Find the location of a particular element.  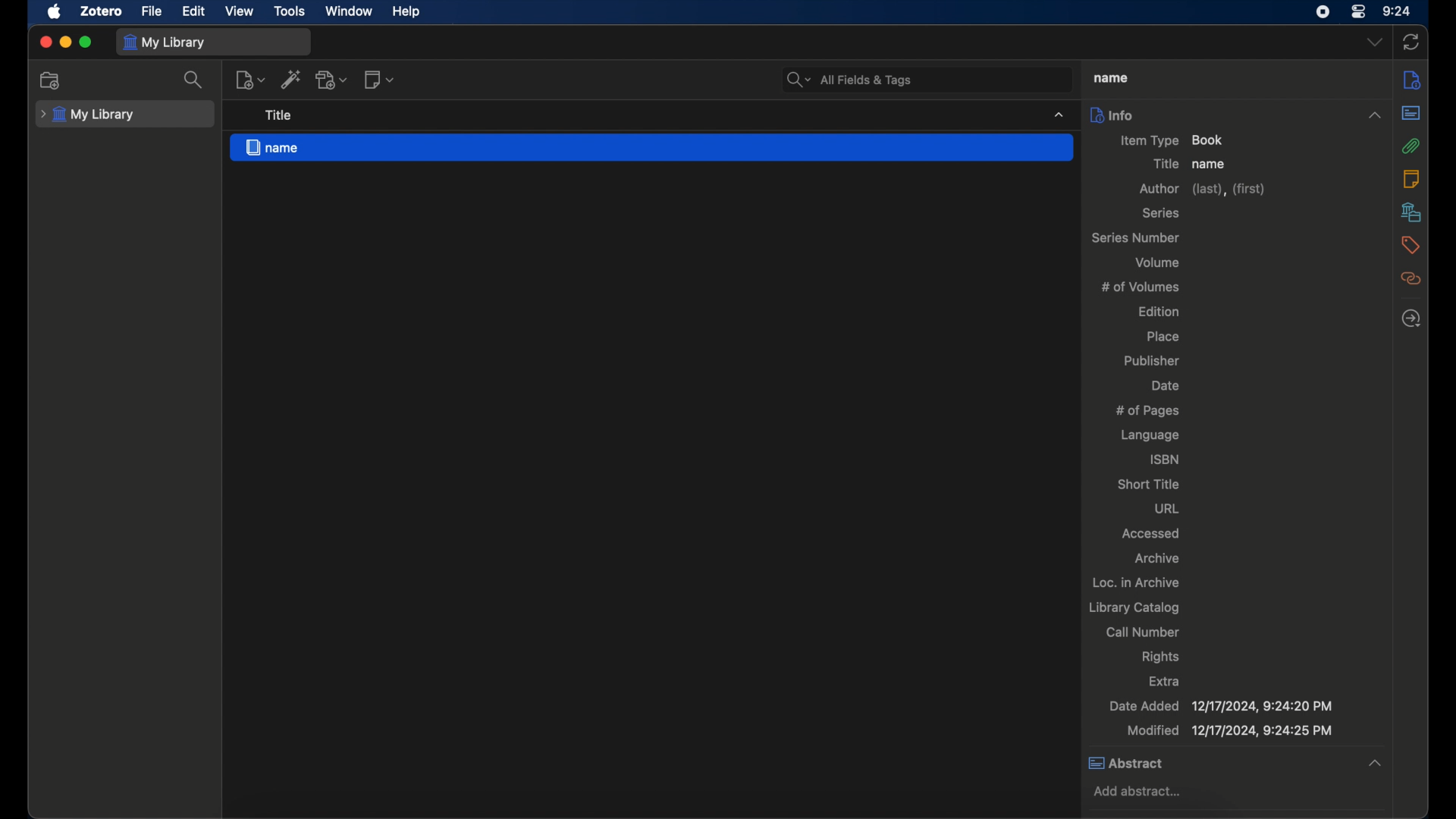

language is located at coordinates (1150, 435).